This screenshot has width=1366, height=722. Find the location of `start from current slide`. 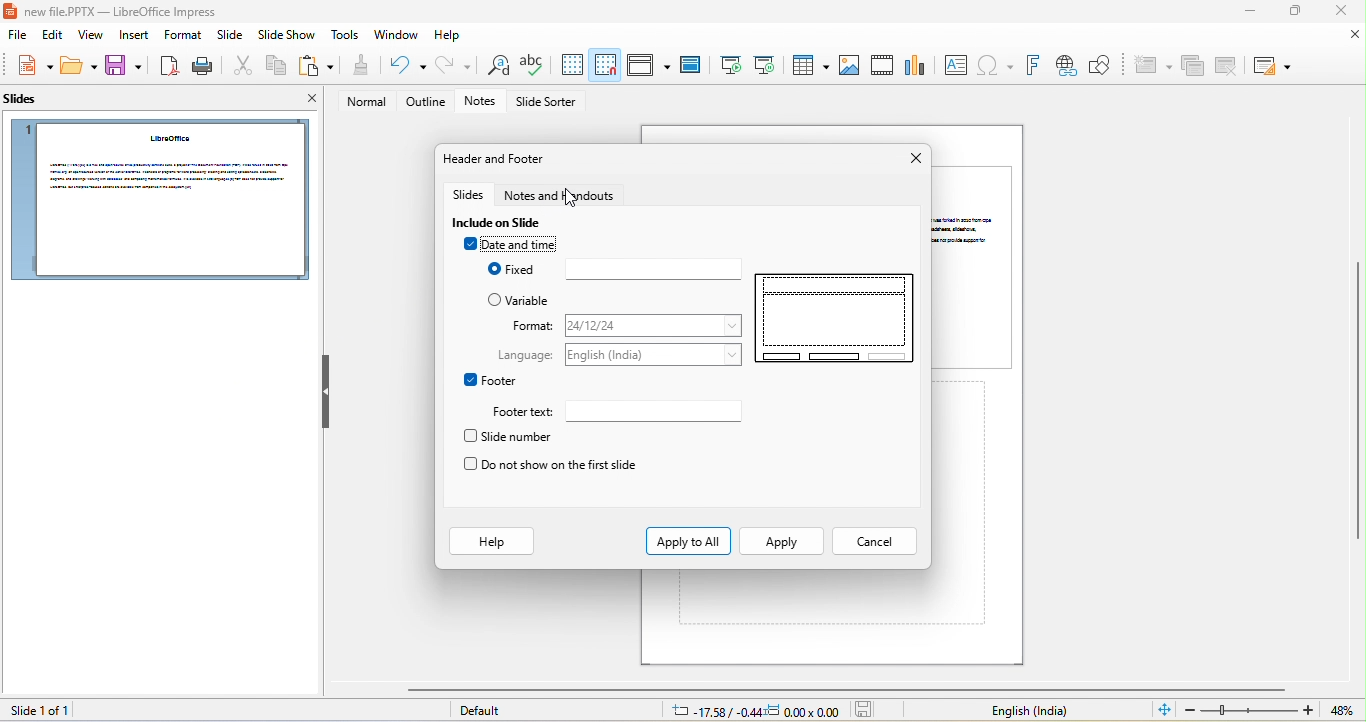

start from current slide is located at coordinates (764, 64).